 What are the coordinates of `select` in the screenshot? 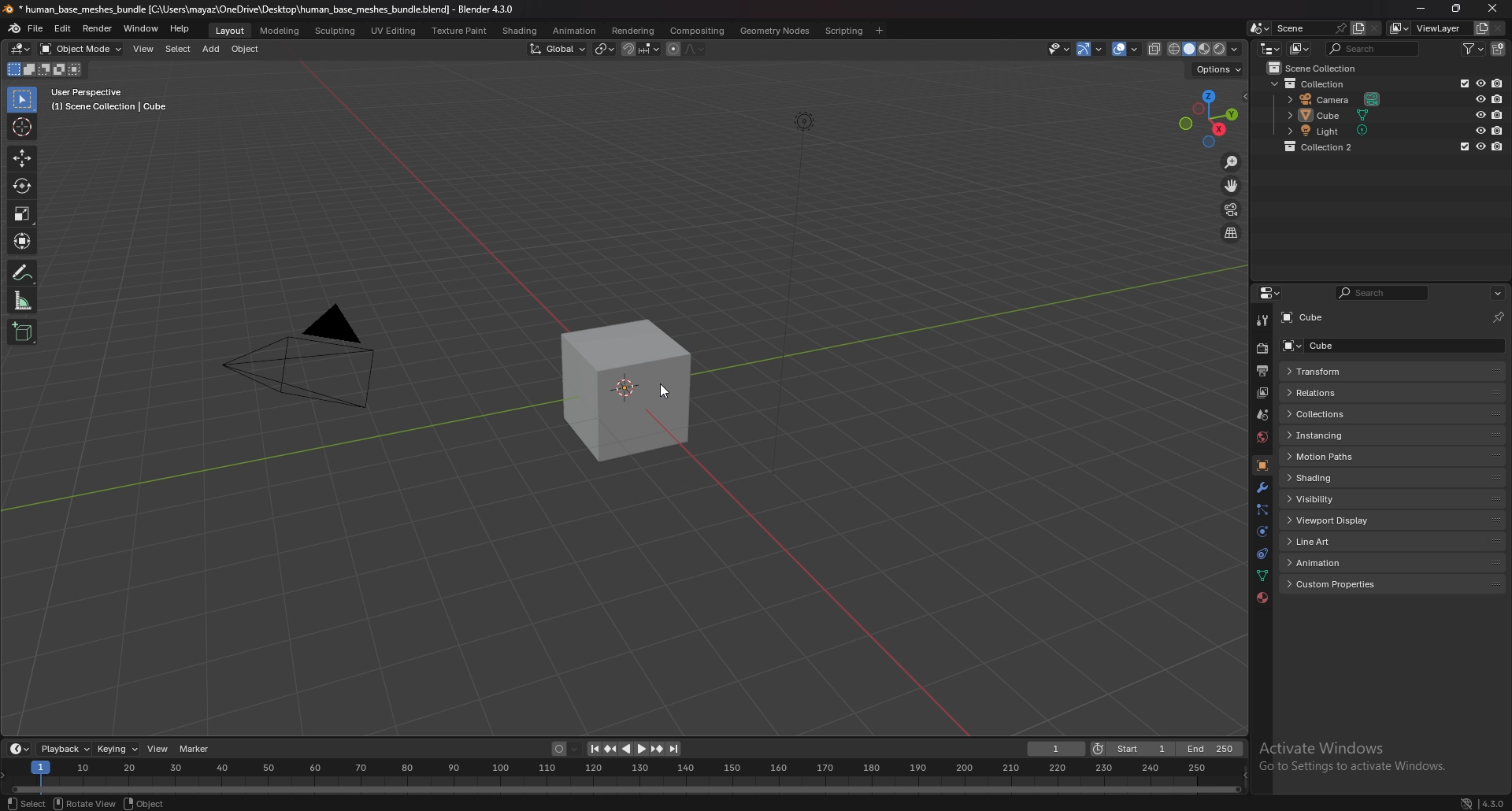 It's located at (24, 100).